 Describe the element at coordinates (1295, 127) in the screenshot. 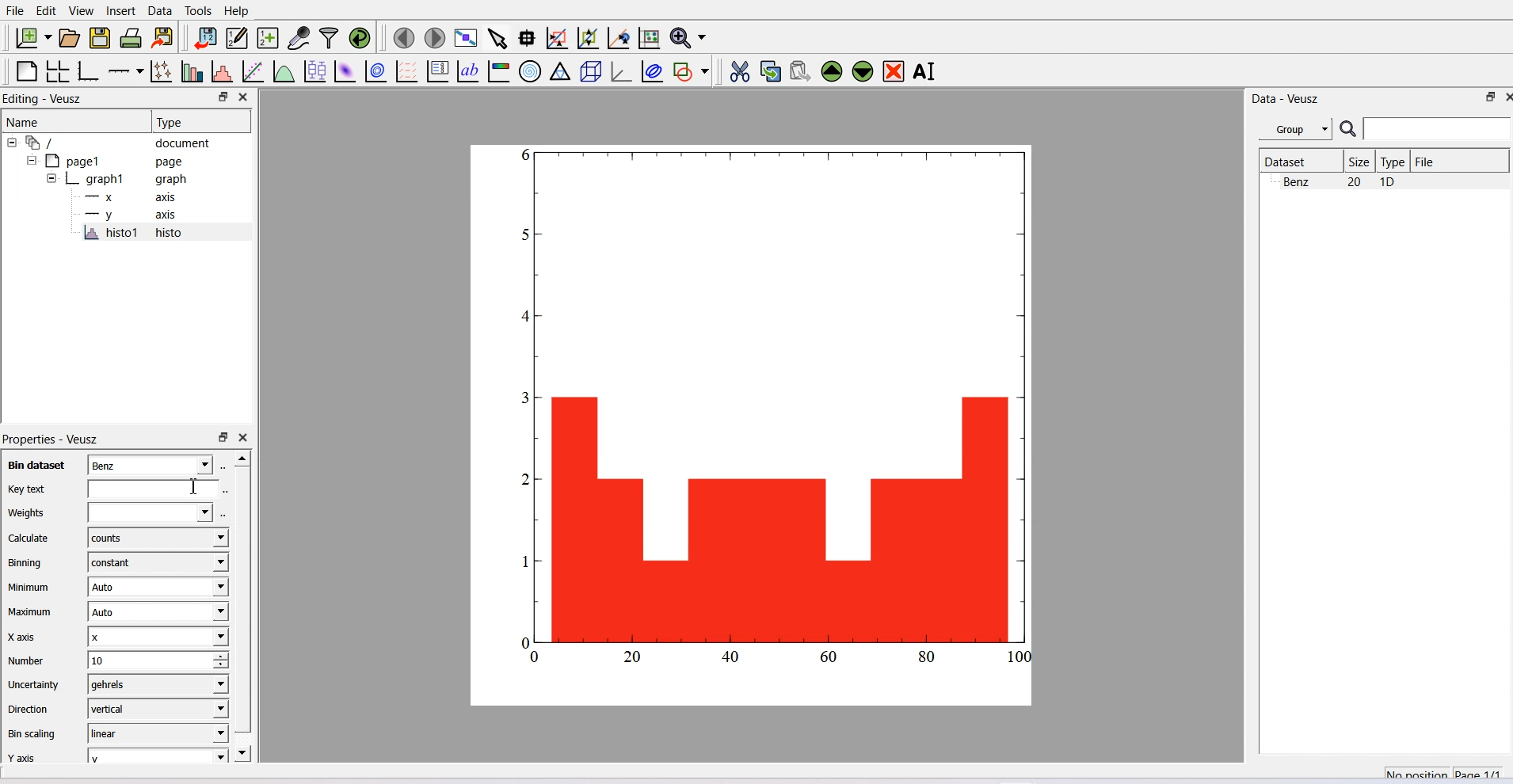

I see `Group` at that location.